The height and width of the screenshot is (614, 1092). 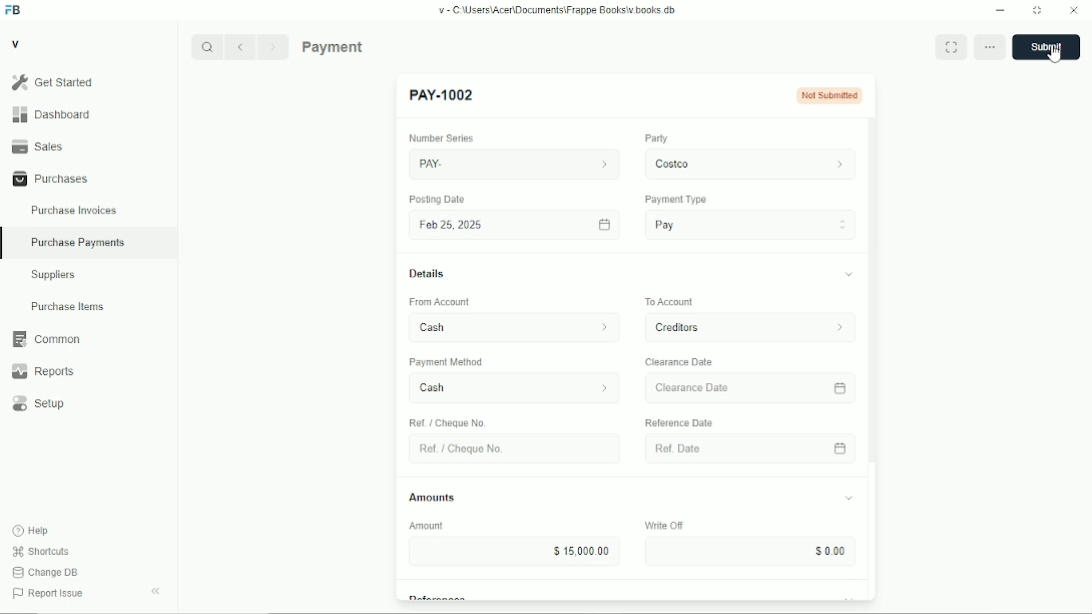 What do you see at coordinates (1055, 58) in the screenshot?
I see `cursor` at bounding box center [1055, 58].